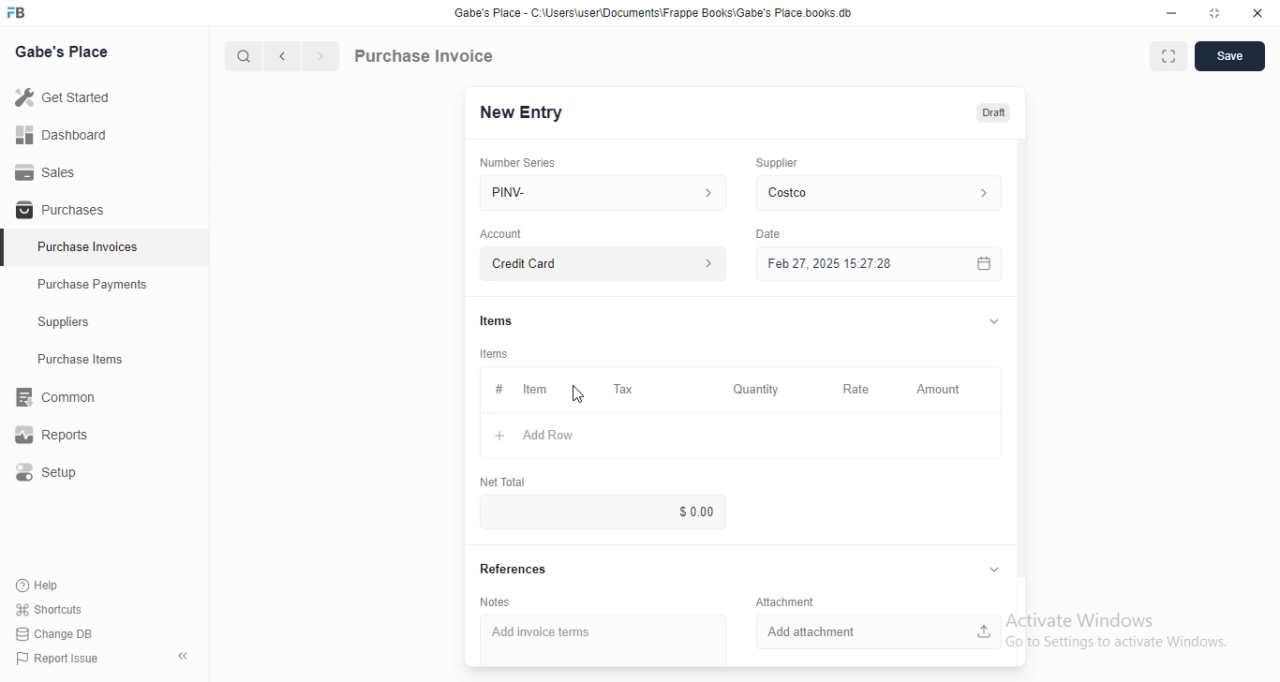 This screenshot has height=682, width=1280. What do you see at coordinates (536, 390) in the screenshot?
I see `# Item` at bounding box center [536, 390].